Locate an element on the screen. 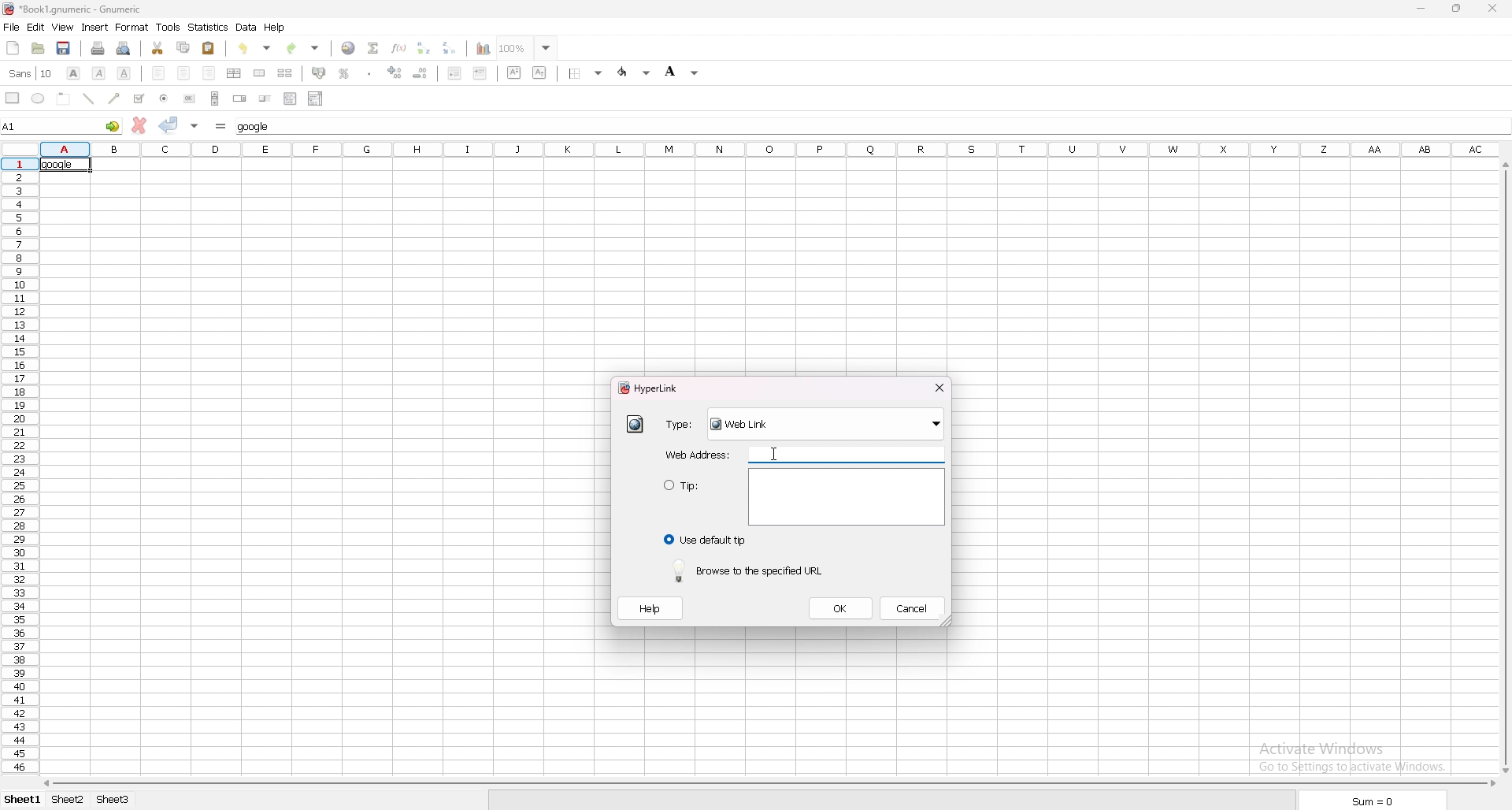 This screenshot has width=1512, height=810. rows is located at coordinates (21, 466).